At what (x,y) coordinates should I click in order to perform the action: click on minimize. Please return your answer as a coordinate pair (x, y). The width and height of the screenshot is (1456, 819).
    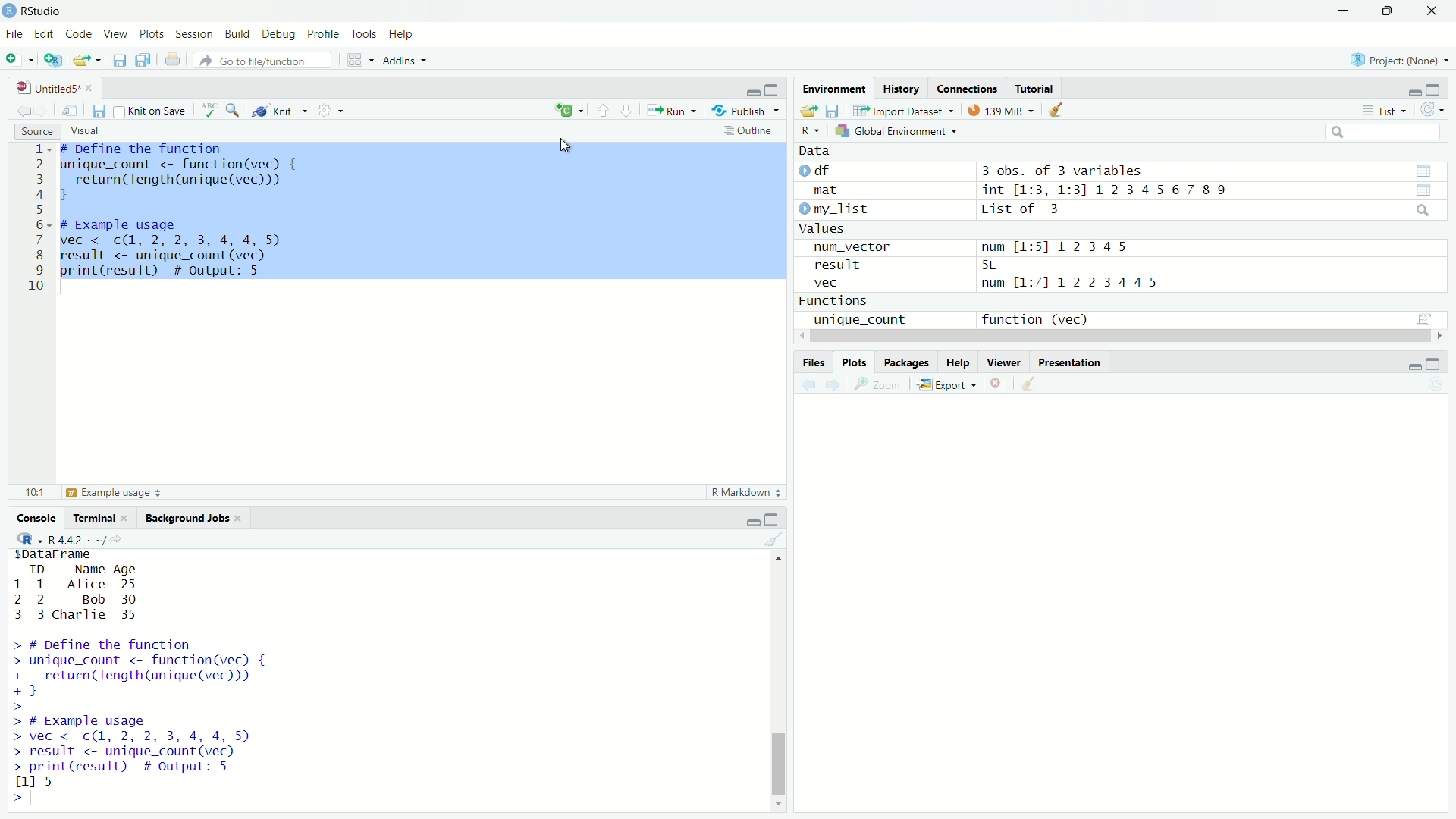
    Looking at the image, I should click on (1344, 11).